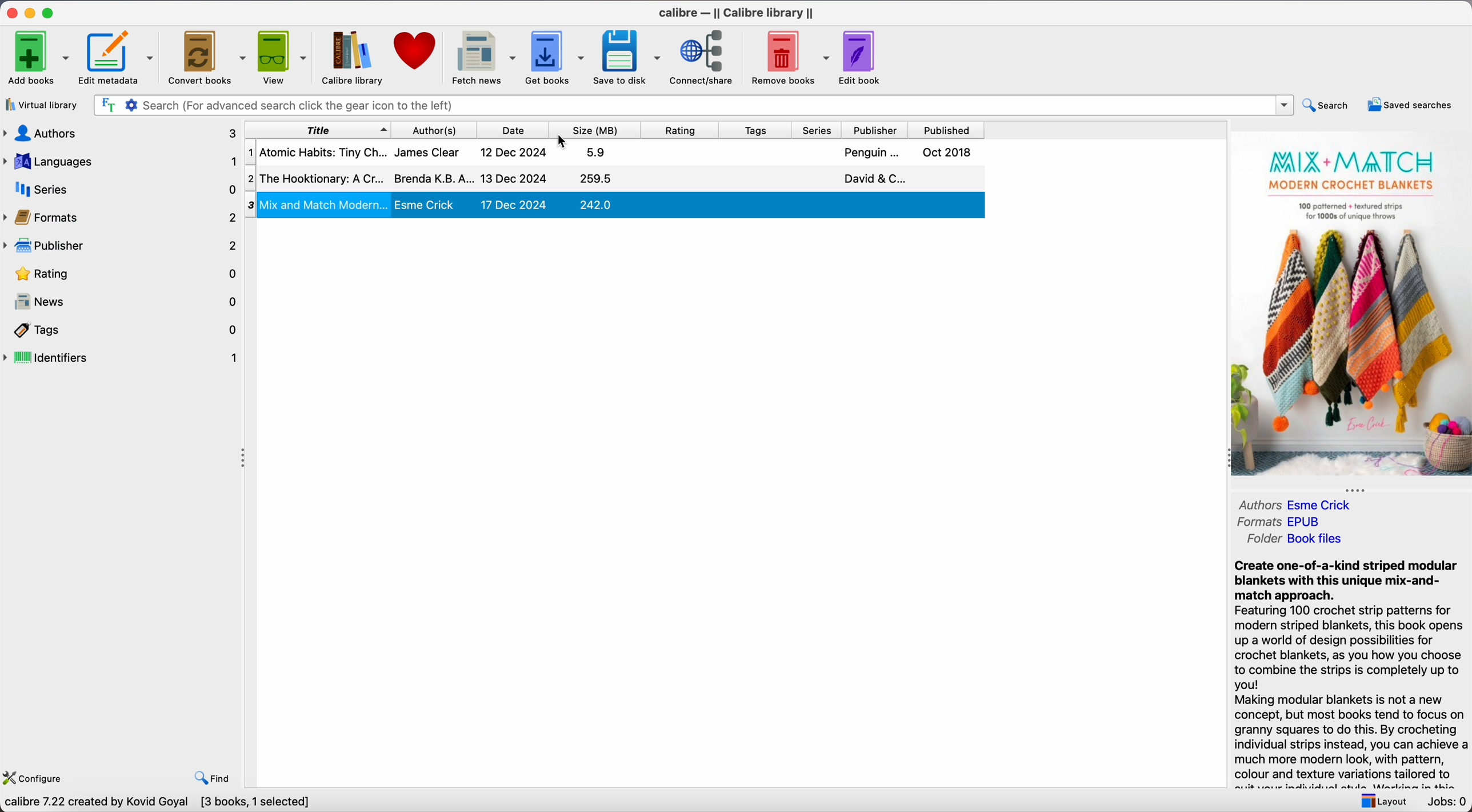  Describe the element at coordinates (439, 129) in the screenshot. I see `author(s)` at that location.